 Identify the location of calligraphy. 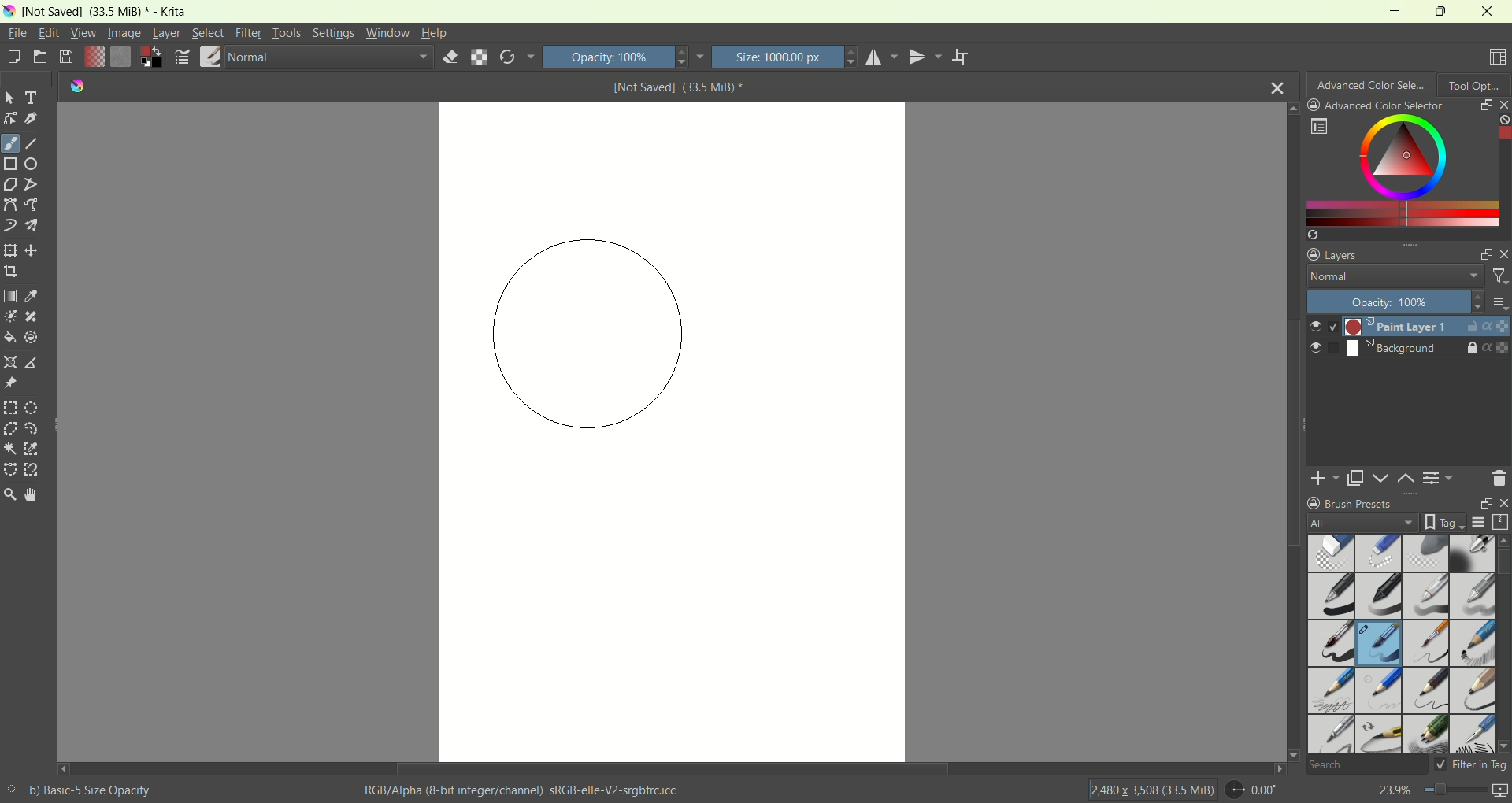
(32, 120).